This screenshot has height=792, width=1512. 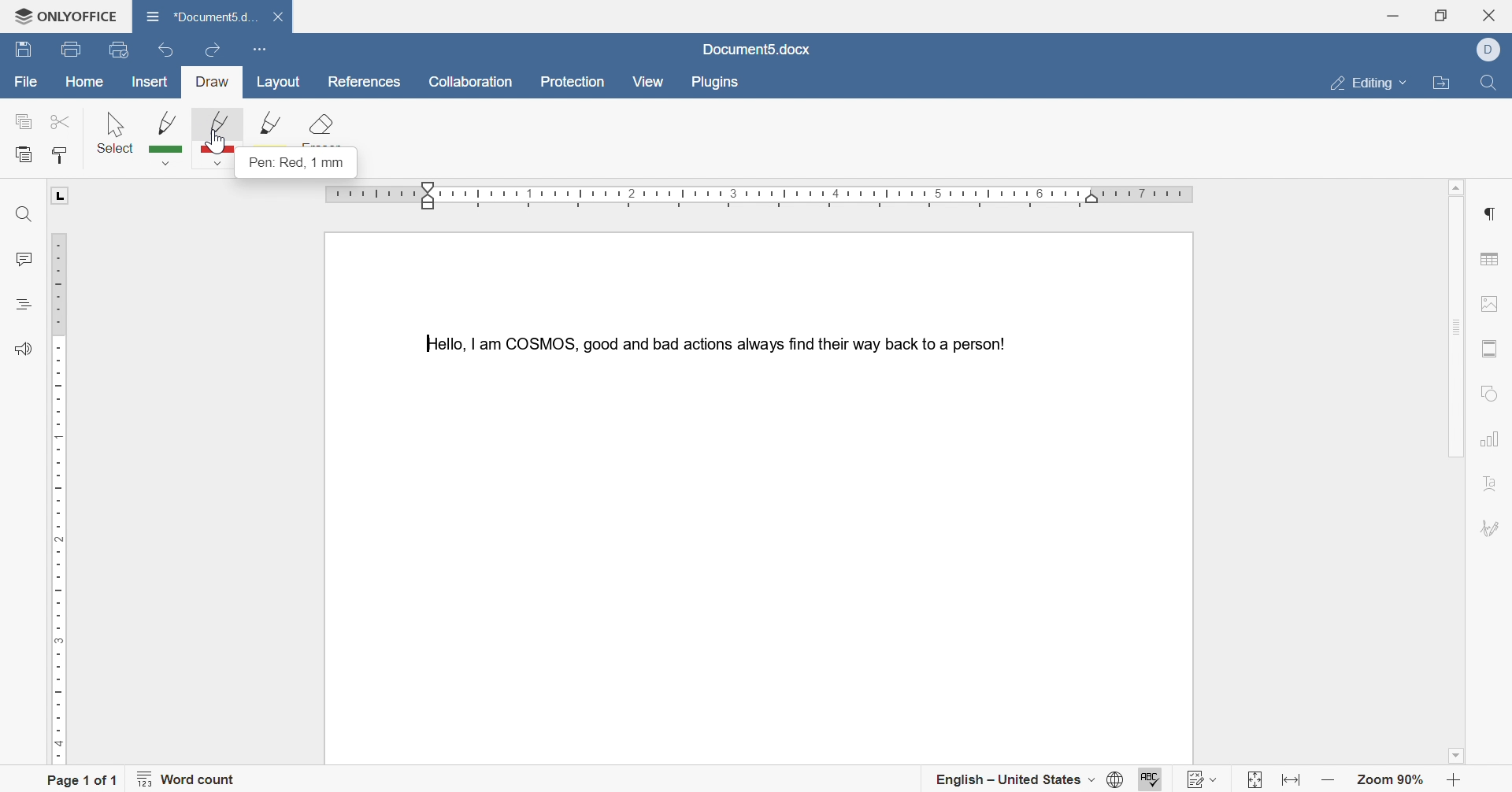 What do you see at coordinates (298, 165) in the screenshot?
I see `pen: red, 1mm` at bounding box center [298, 165].